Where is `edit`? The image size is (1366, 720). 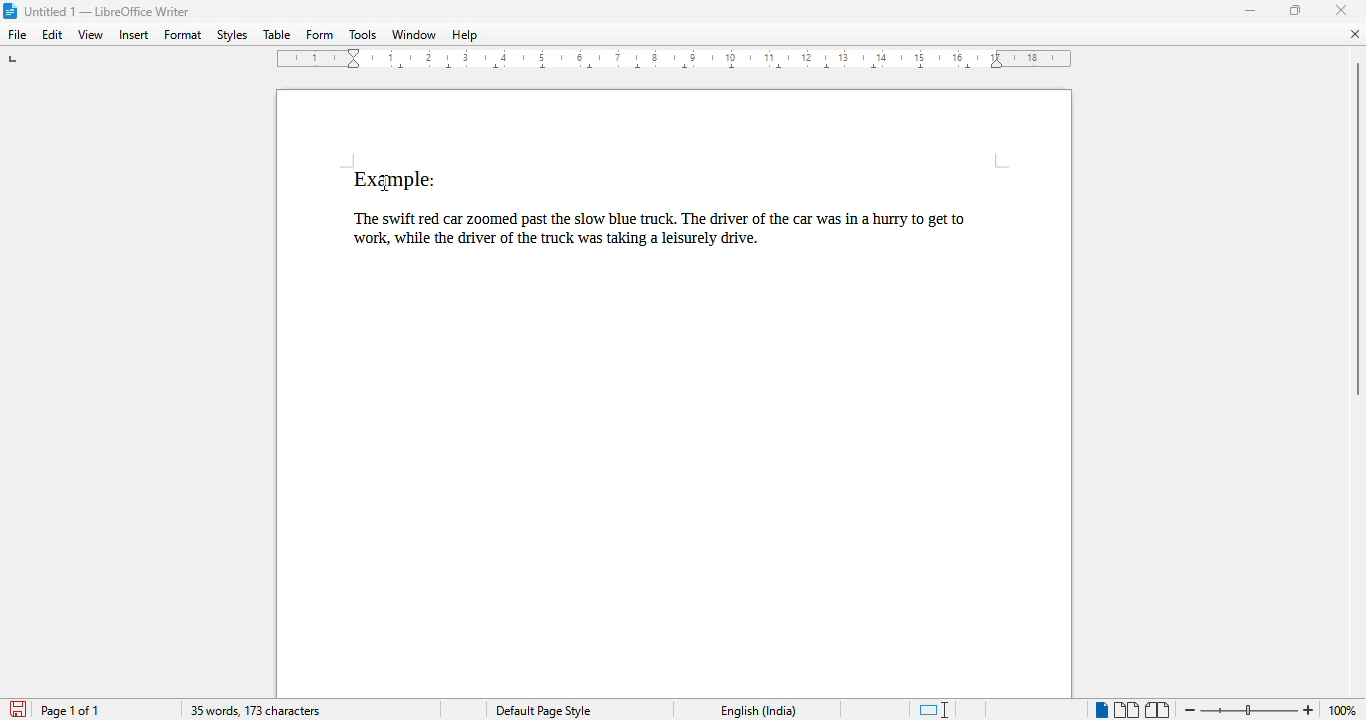
edit is located at coordinates (53, 35).